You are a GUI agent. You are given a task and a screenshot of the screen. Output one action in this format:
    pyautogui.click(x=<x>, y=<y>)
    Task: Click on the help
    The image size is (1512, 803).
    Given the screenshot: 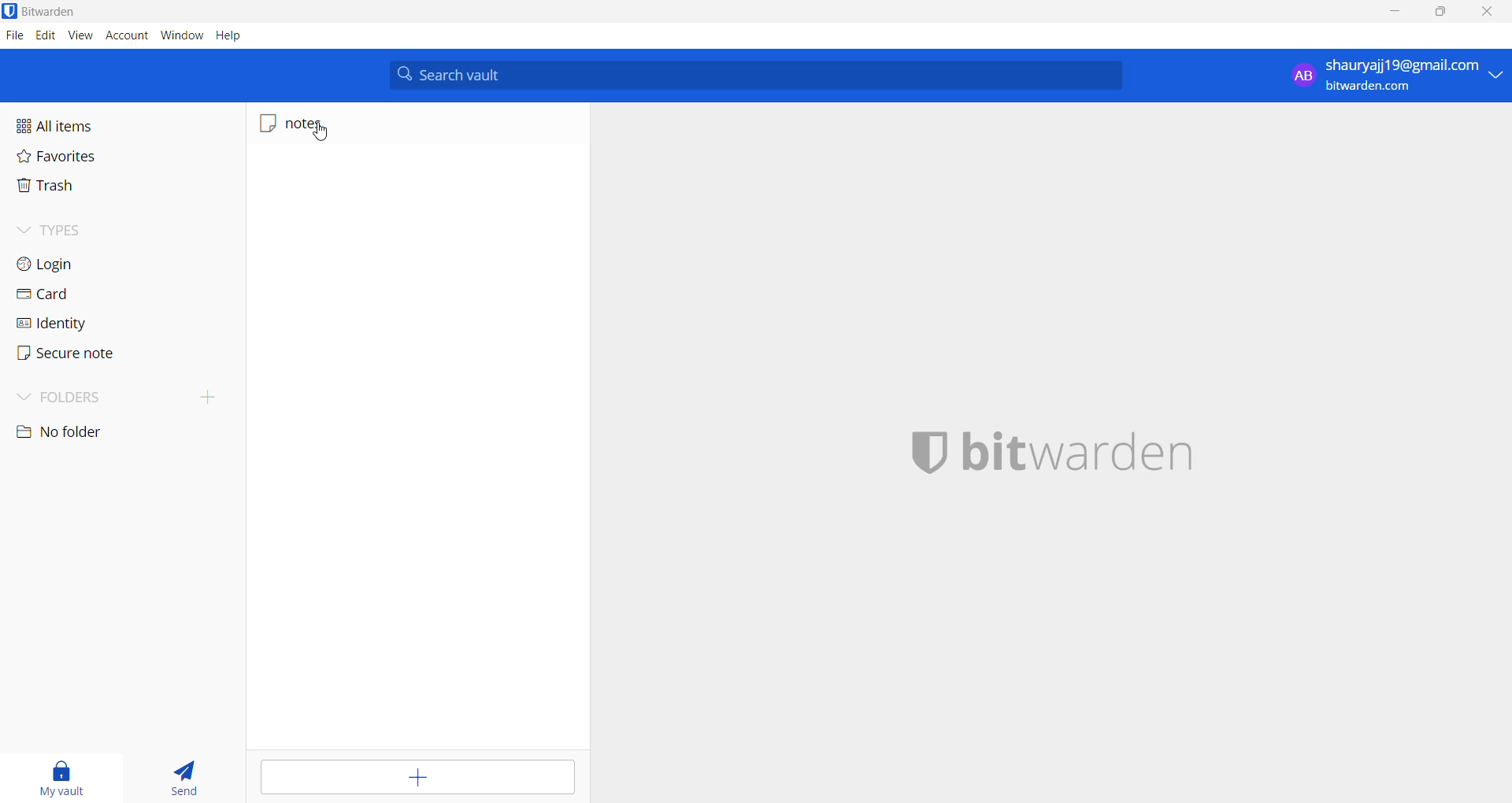 What is the action you would take?
    pyautogui.click(x=229, y=37)
    